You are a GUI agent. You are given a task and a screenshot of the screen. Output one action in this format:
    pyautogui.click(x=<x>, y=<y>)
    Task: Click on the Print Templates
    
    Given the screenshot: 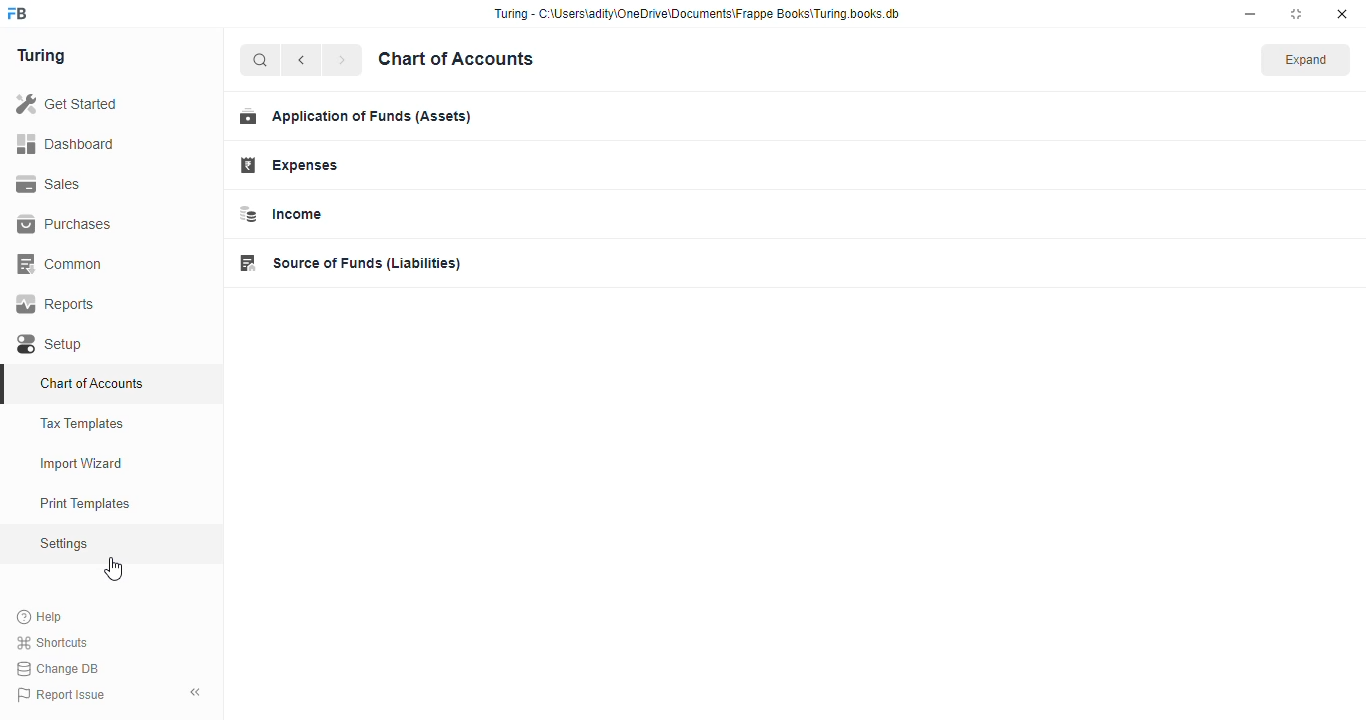 What is the action you would take?
    pyautogui.click(x=93, y=504)
    